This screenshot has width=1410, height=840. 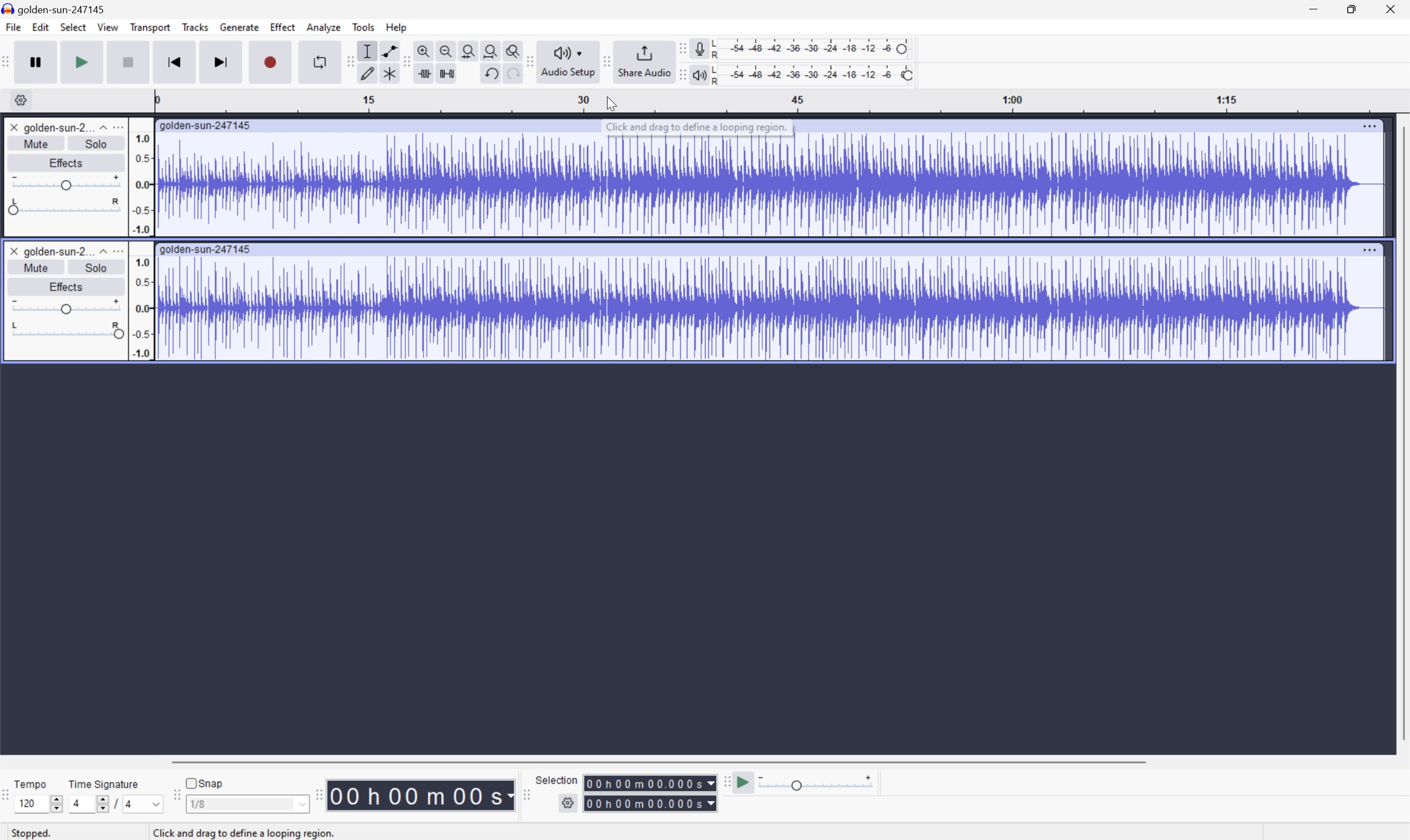 I want to click on more, so click(x=123, y=127).